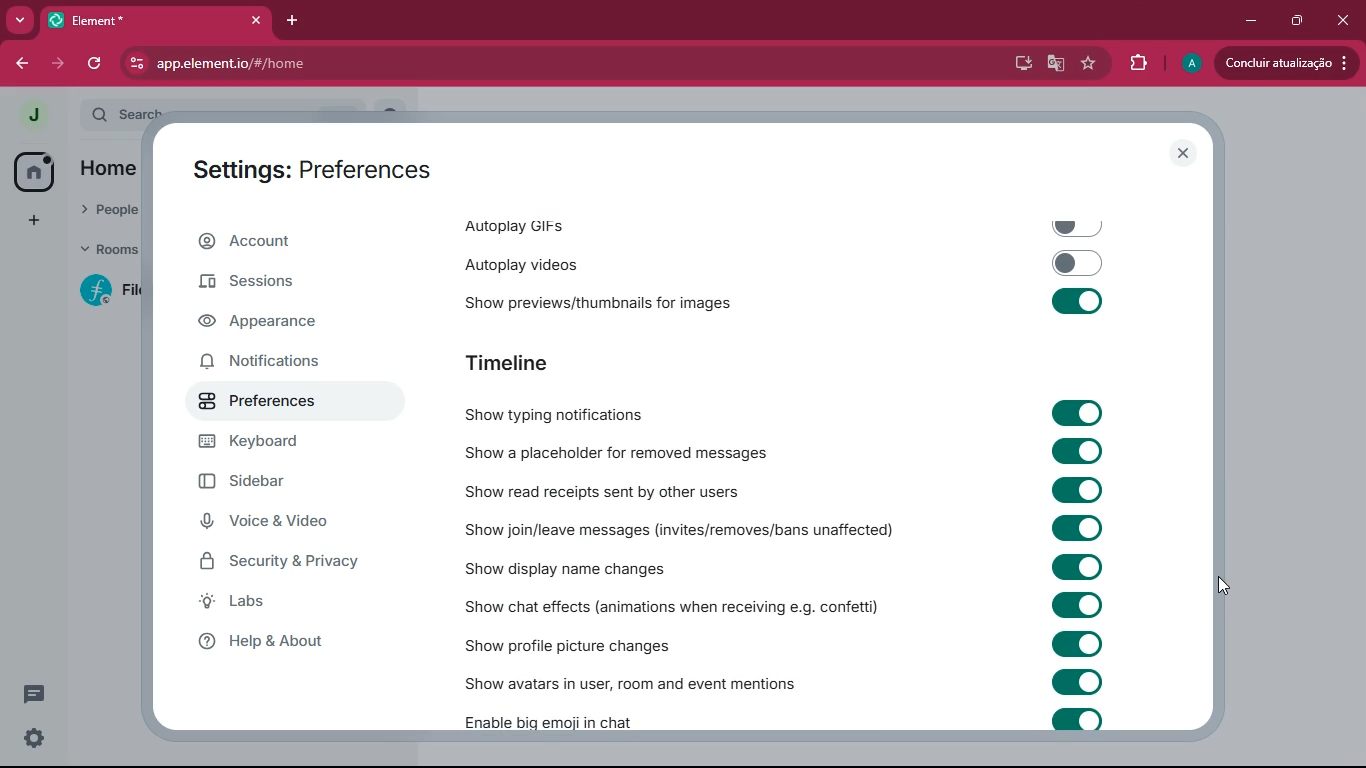  I want to click on close, so click(1183, 153).